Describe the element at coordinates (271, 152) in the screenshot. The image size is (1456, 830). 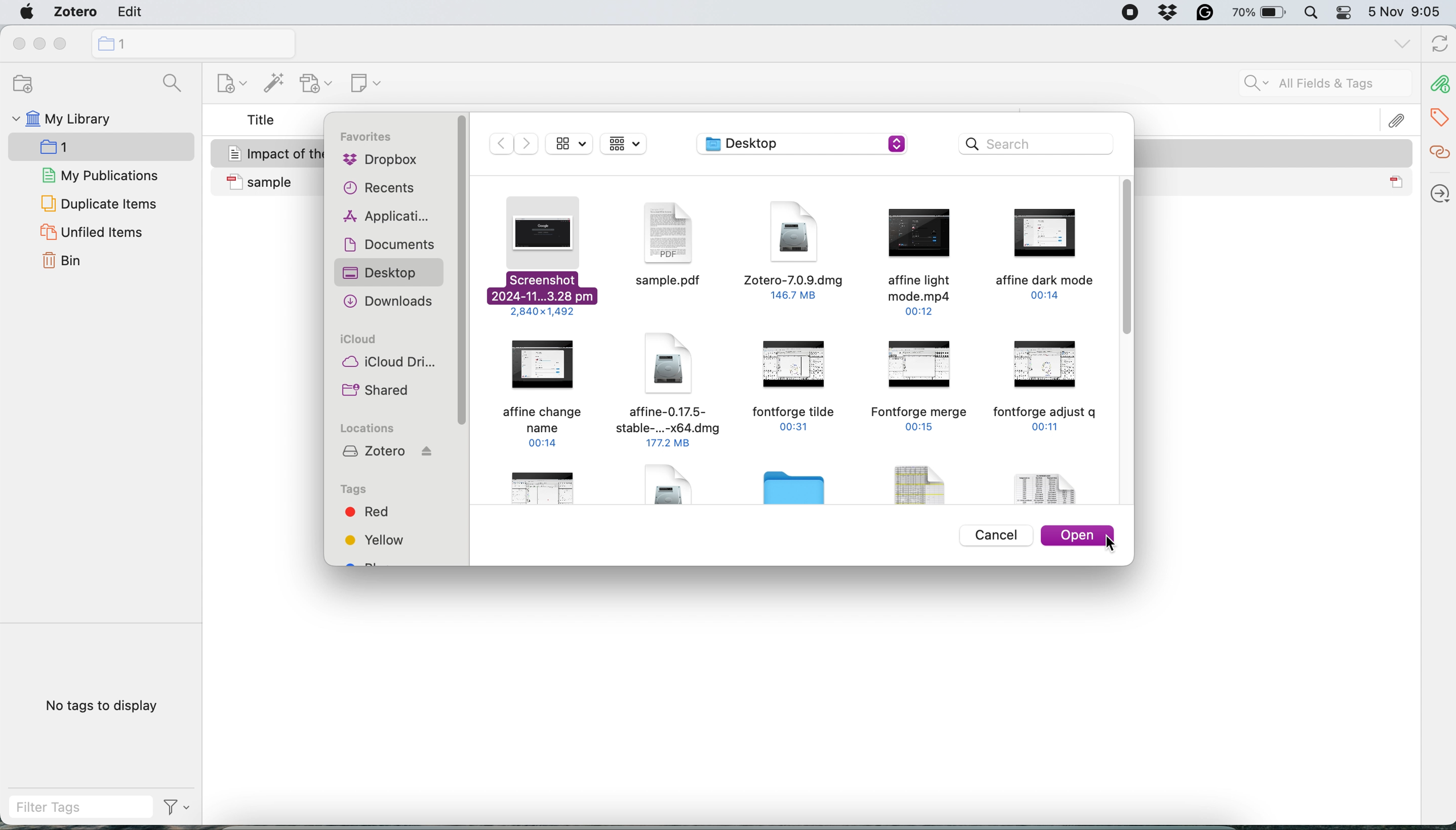
I see `Impact of the Information Technology on the Accounting System  Jasim and Raewf` at that location.